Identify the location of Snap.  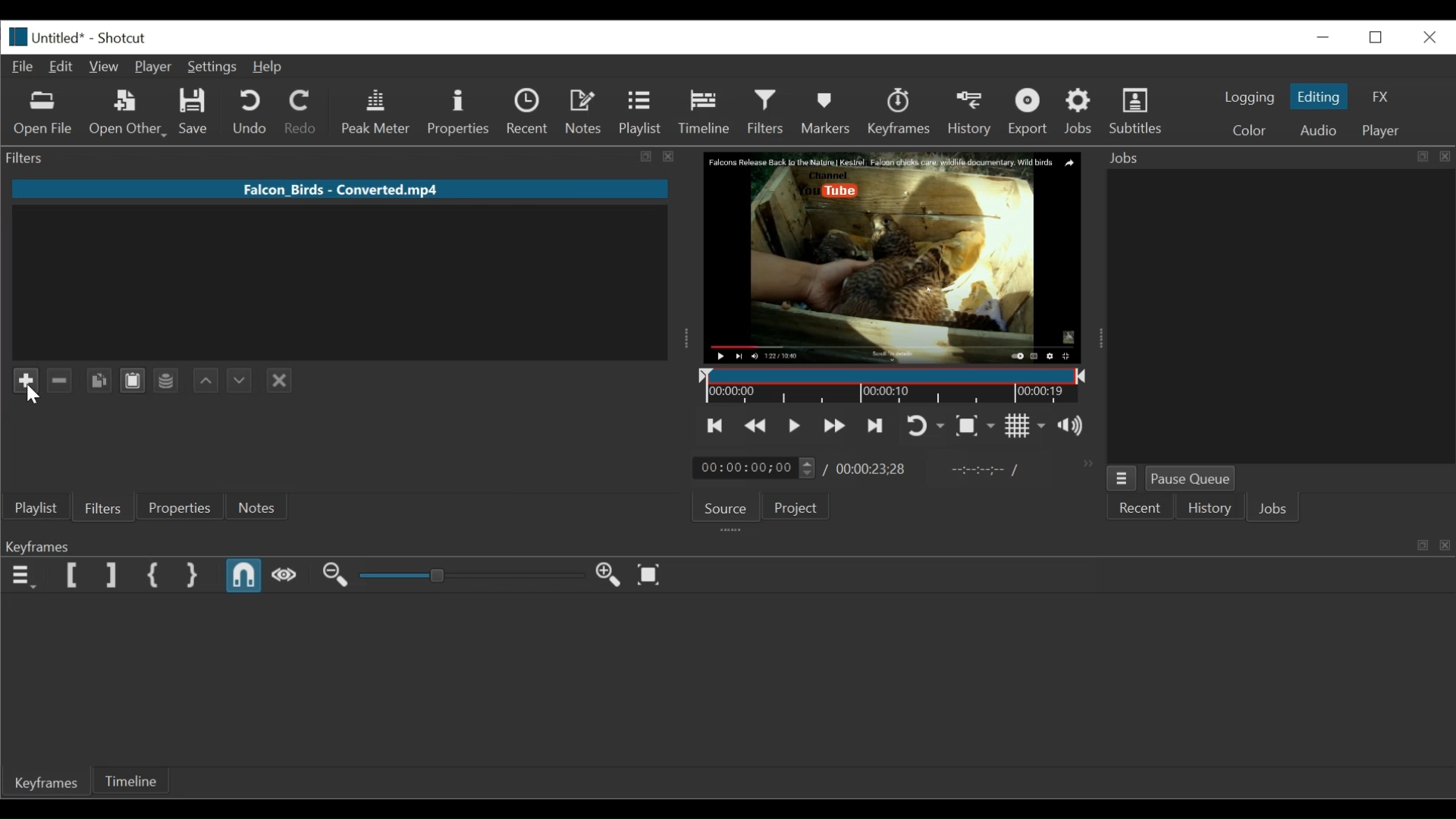
(245, 576).